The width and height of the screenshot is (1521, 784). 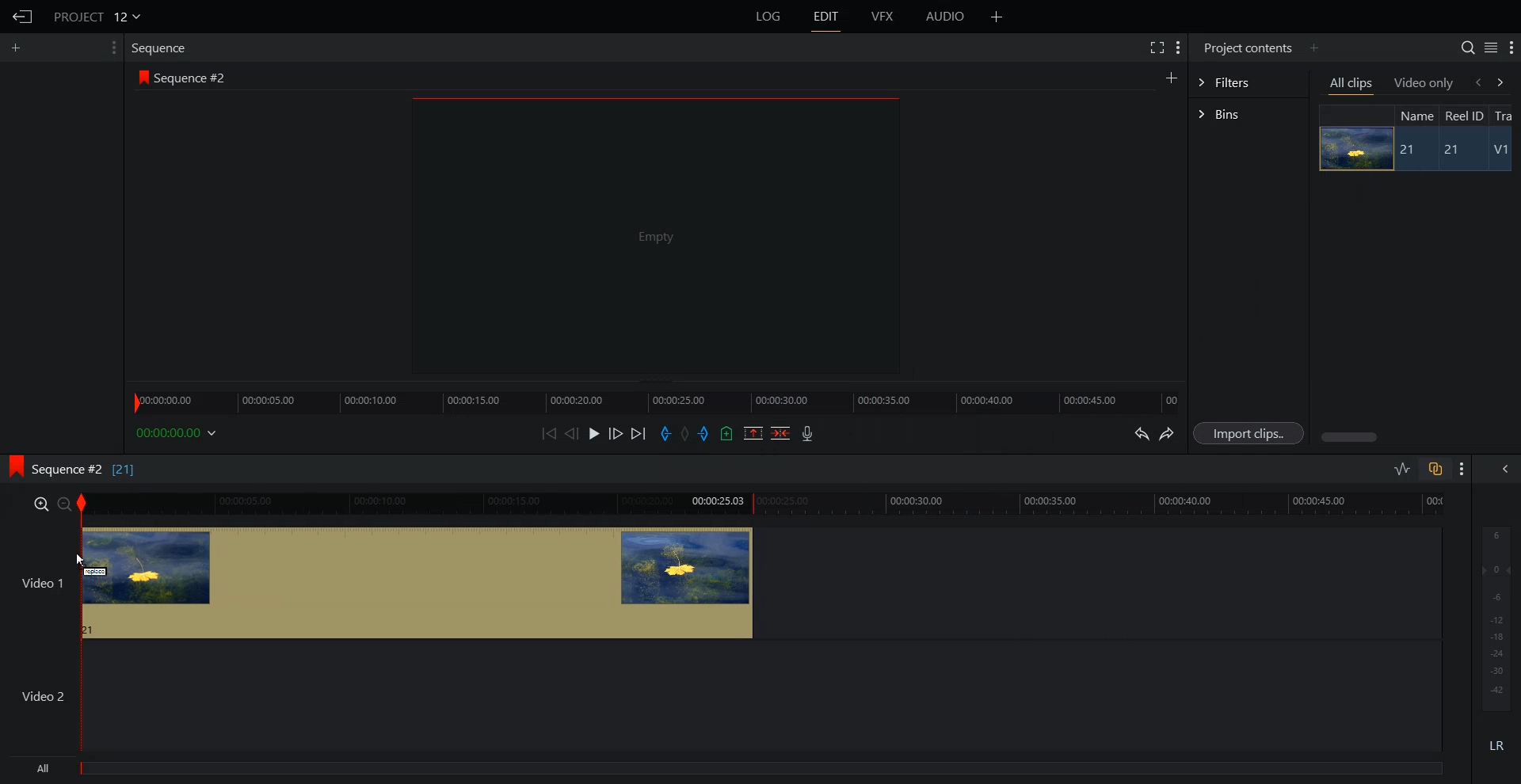 I want to click on Toggle between list and tile view, so click(x=1491, y=48).